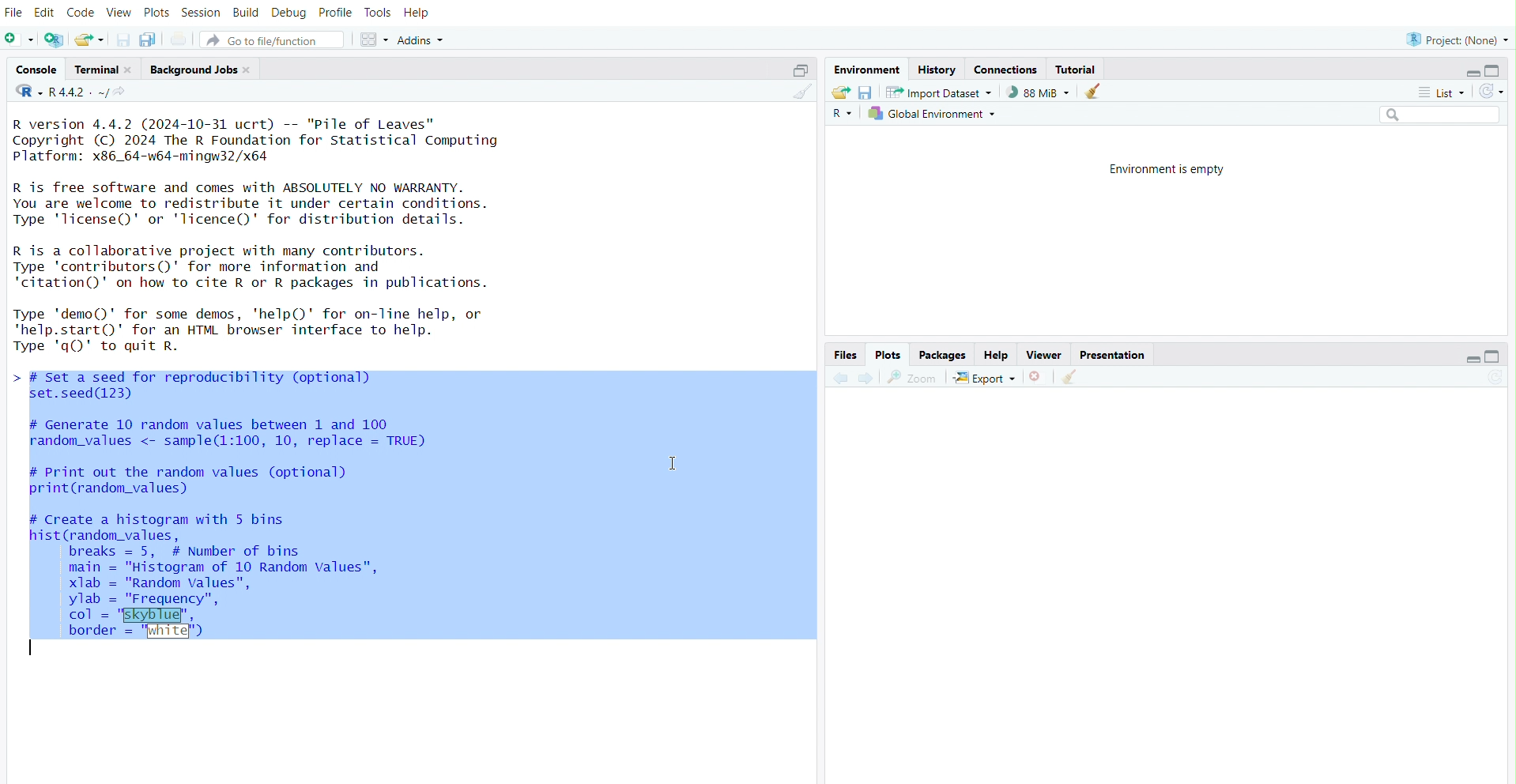 Image resolution: width=1516 pixels, height=784 pixels. I want to click on clear console, so click(799, 92).